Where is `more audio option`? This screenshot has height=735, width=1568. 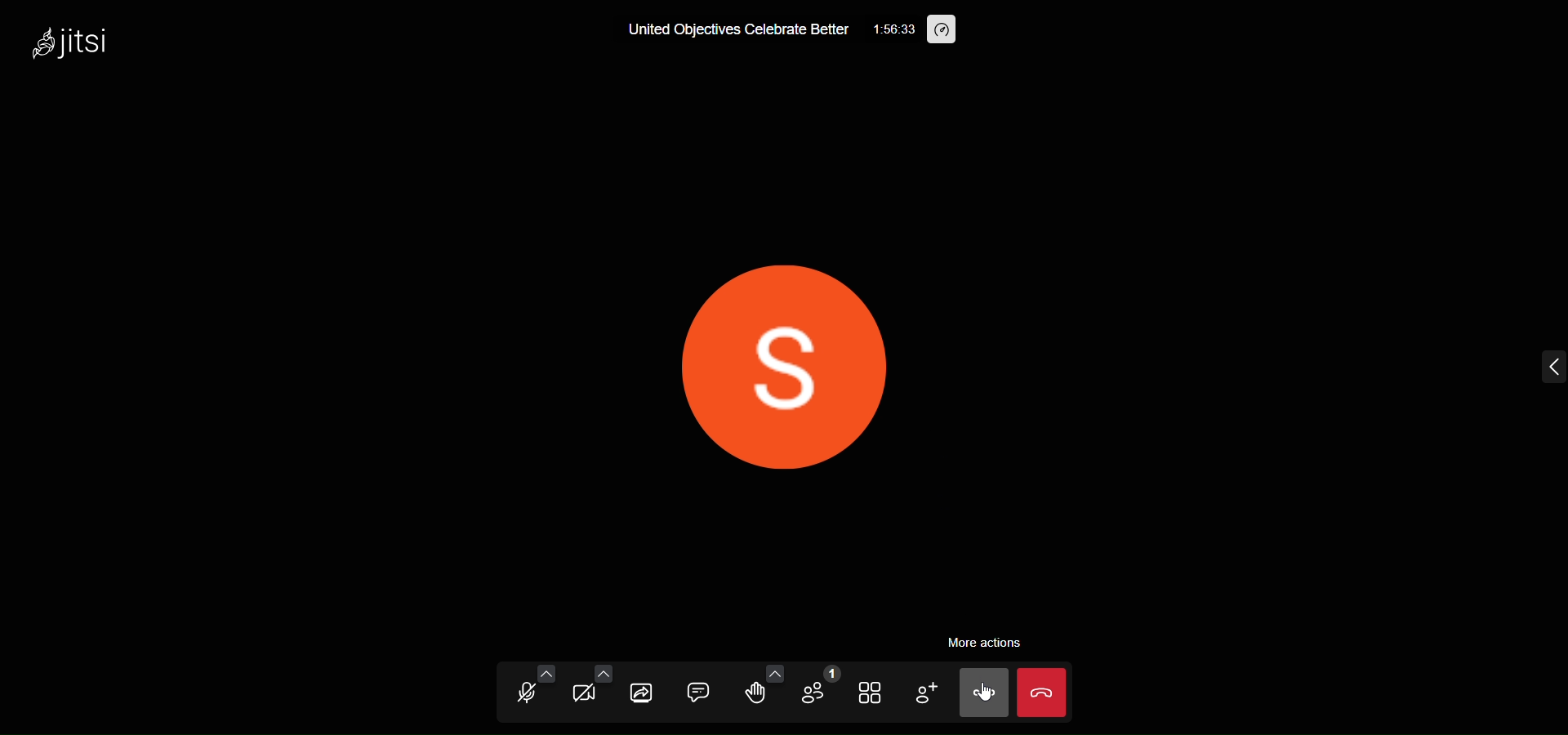
more audio option is located at coordinates (544, 672).